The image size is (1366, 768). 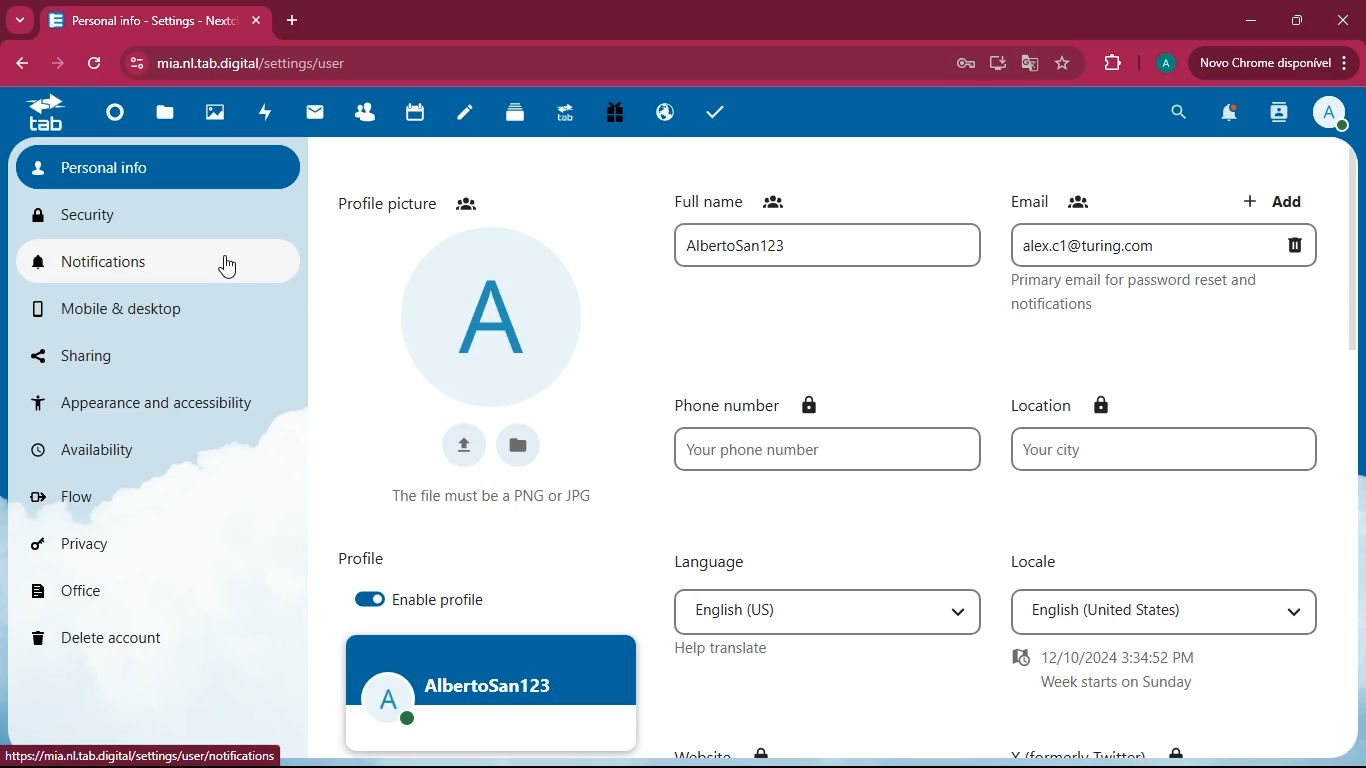 What do you see at coordinates (1346, 20) in the screenshot?
I see `close` at bounding box center [1346, 20].